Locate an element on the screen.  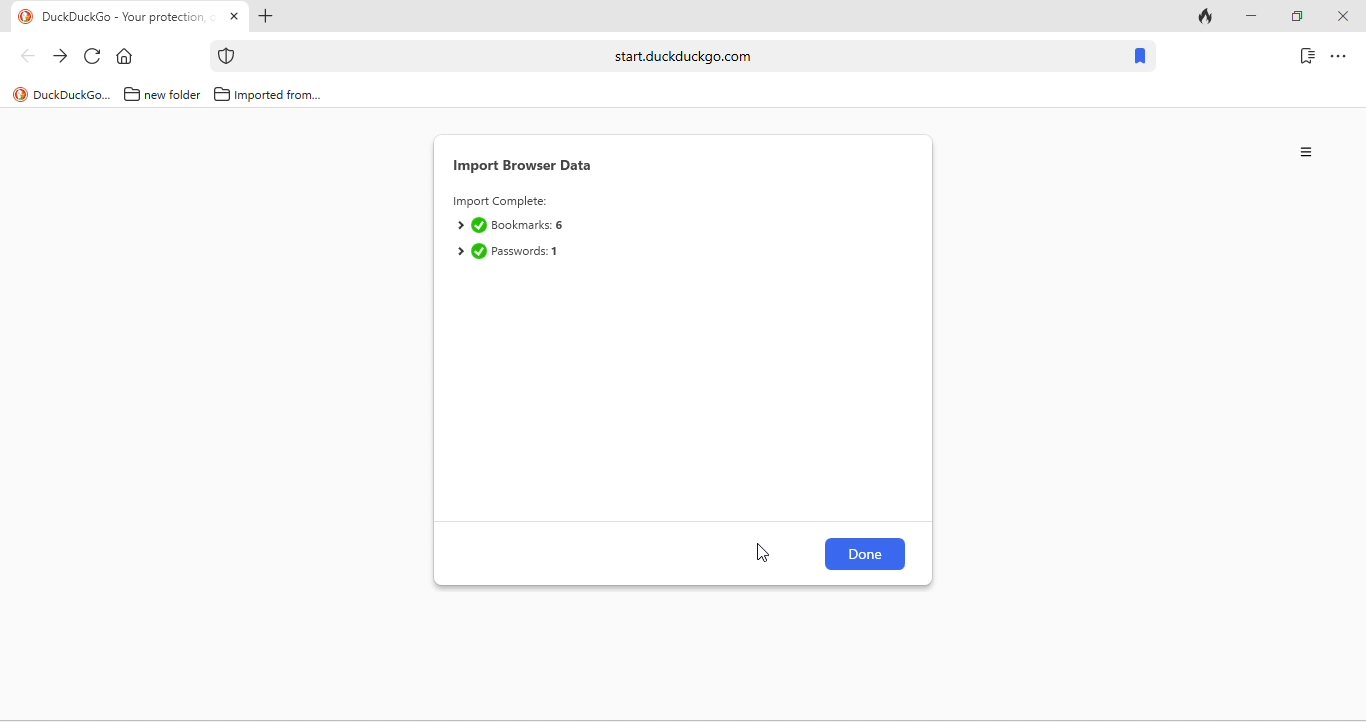
forward is located at coordinates (60, 57).